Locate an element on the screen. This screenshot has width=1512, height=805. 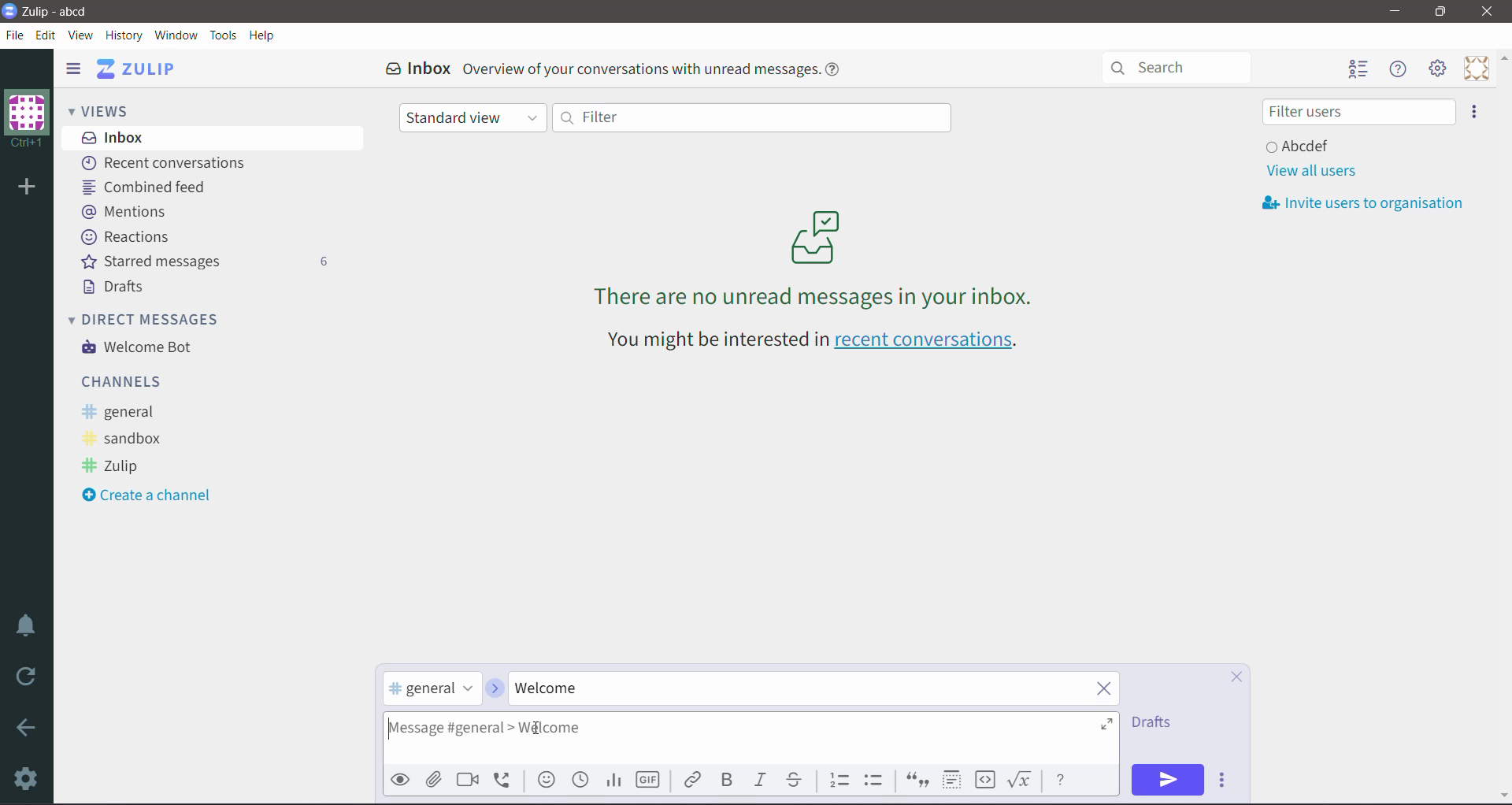
Edit is located at coordinates (46, 35).